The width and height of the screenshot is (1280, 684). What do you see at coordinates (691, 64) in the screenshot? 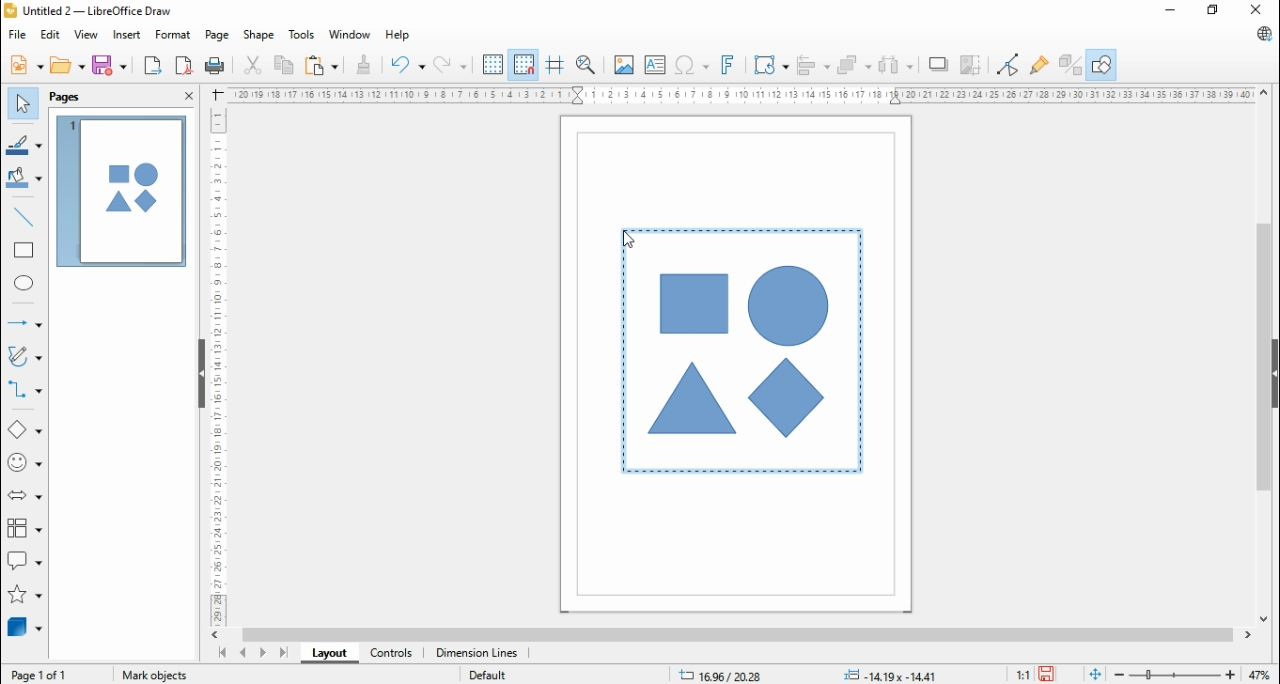
I see `insert special characters` at bounding box center [691, 64].